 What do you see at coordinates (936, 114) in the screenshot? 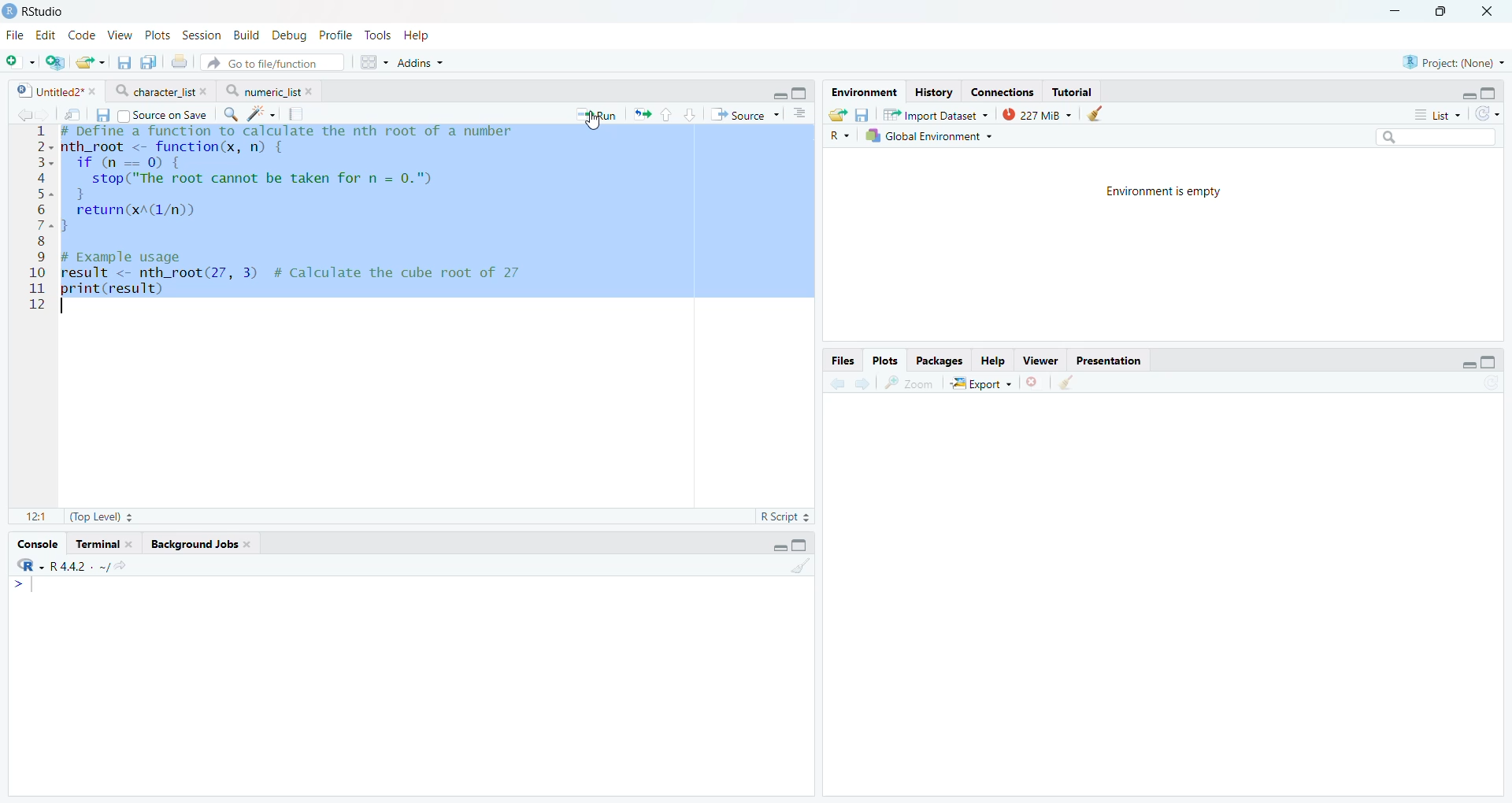
I see `Import Dataset` at bounding box center [936, 114].